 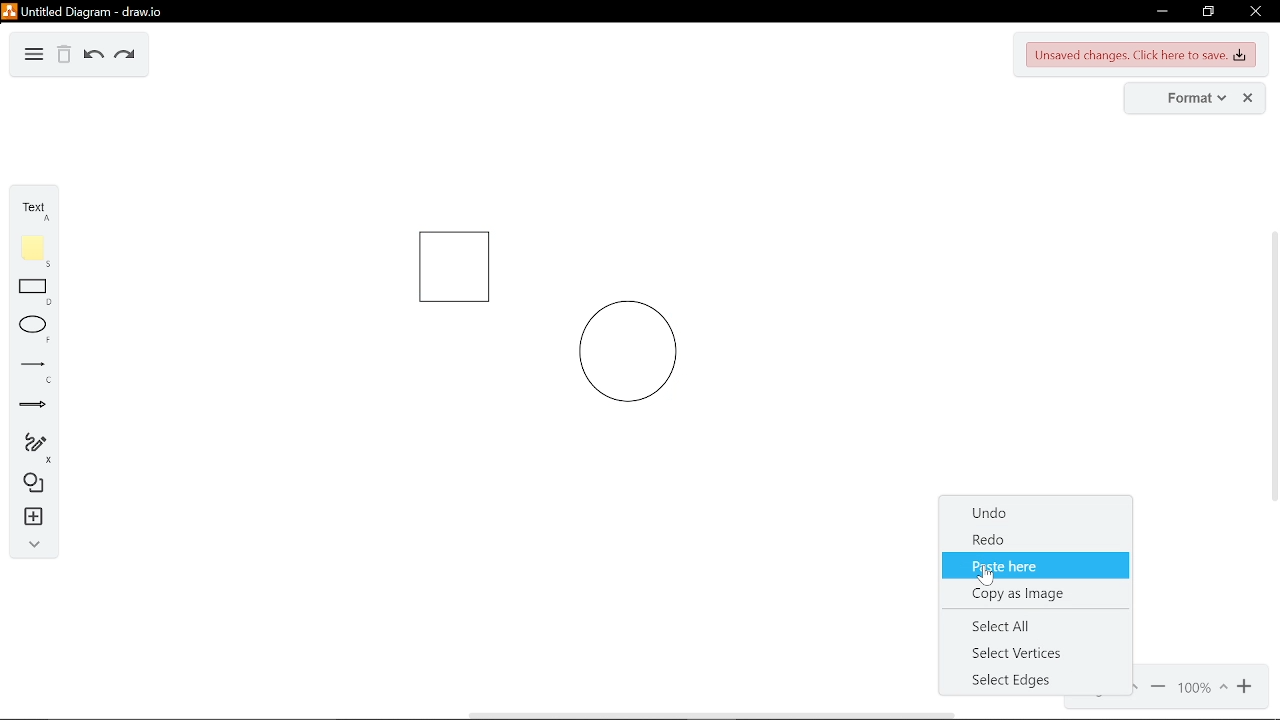 What do you see at coordinates (1038, 568) in the screenshot?
I see `paste here` at bounding box center [1038, 568].